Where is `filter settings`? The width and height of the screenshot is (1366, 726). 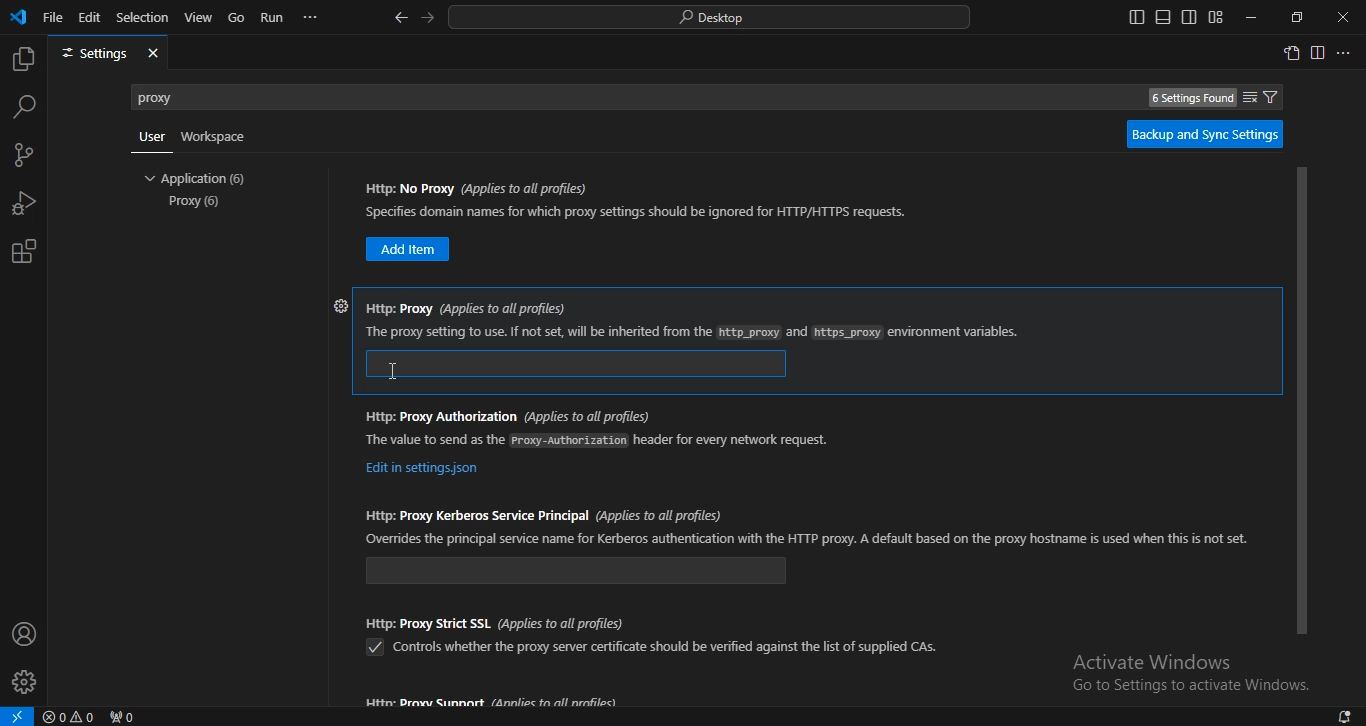
filter settings is located at coordinates (1275, 97).